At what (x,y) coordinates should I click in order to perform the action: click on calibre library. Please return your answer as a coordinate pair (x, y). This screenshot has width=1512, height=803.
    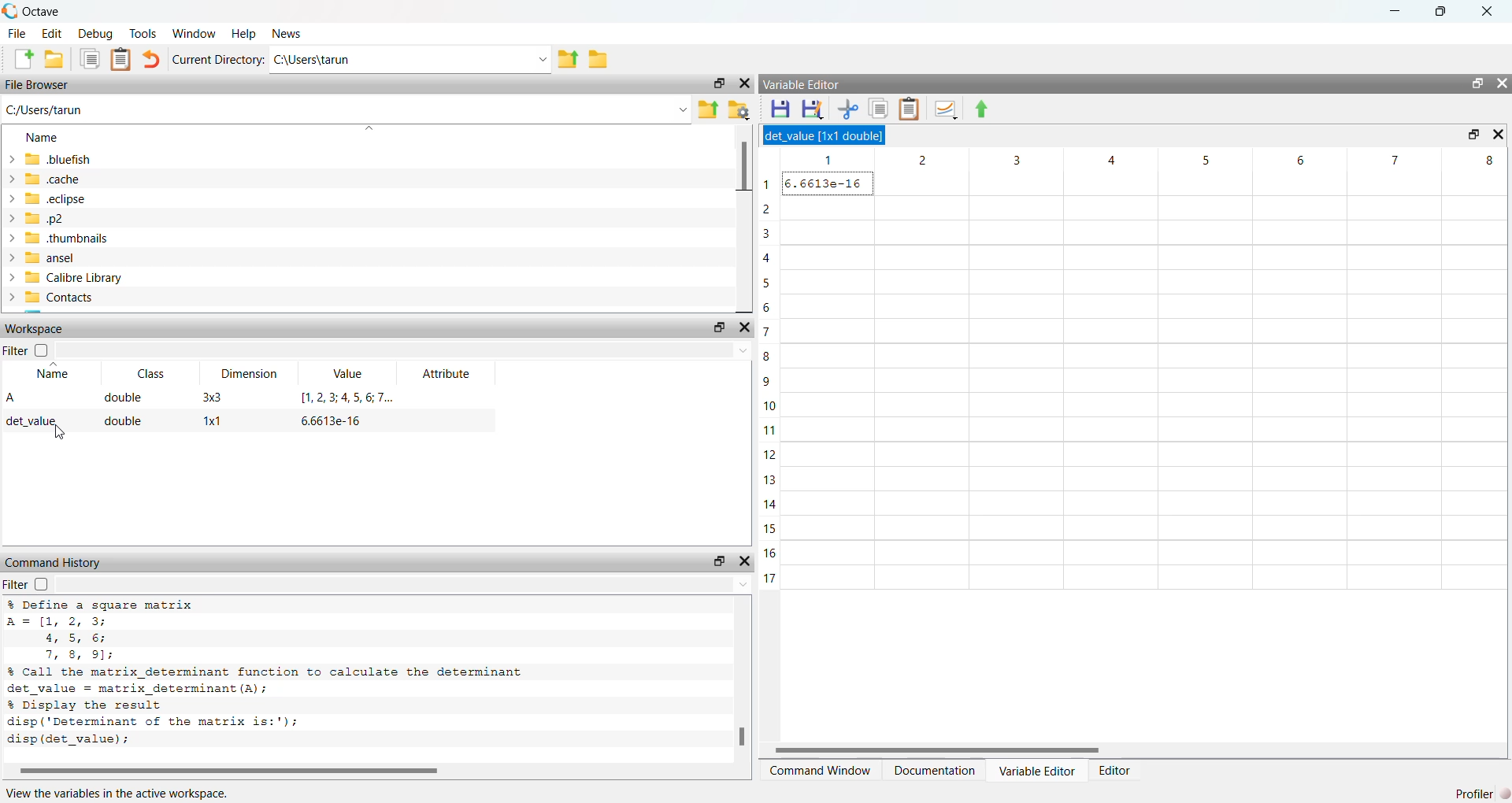
    Looking at the image, I should click on (65, 278).